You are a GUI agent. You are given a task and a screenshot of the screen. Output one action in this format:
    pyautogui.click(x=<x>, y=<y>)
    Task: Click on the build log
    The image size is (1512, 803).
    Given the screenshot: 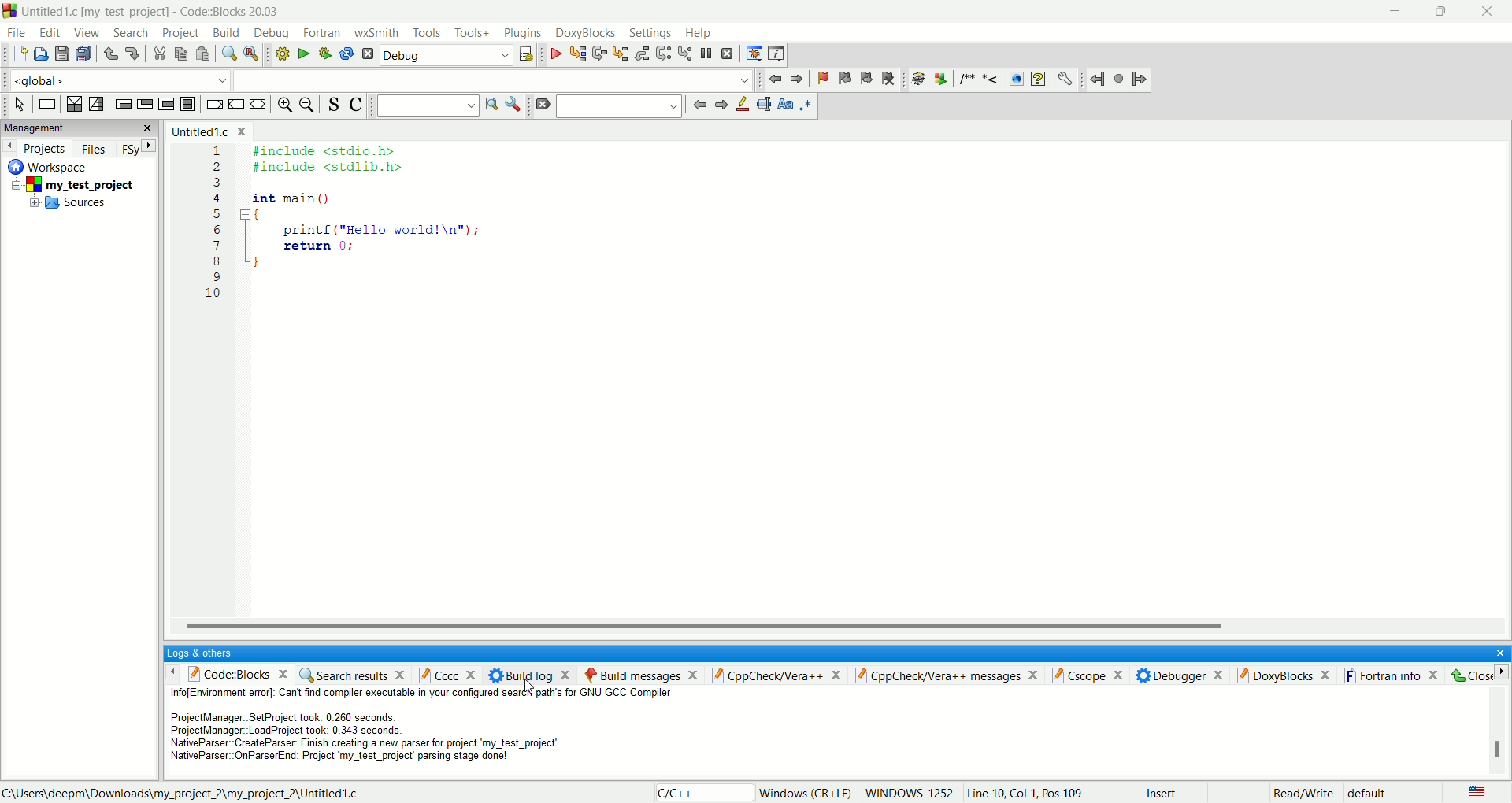 What is the action you would take?
    pyautogui.click(x=532, y=674)
    